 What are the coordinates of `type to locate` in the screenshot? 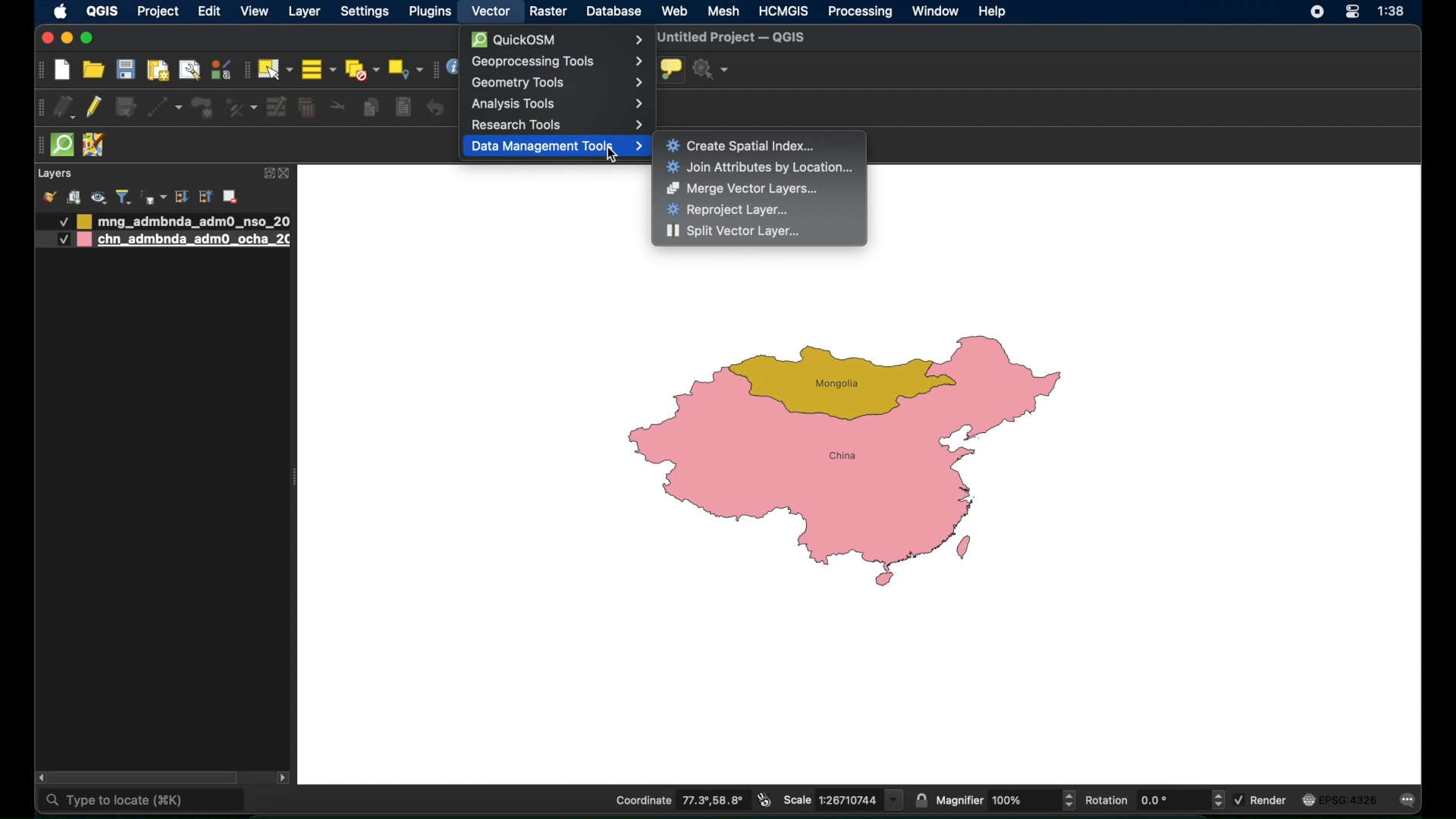 It's located at (143, 802).